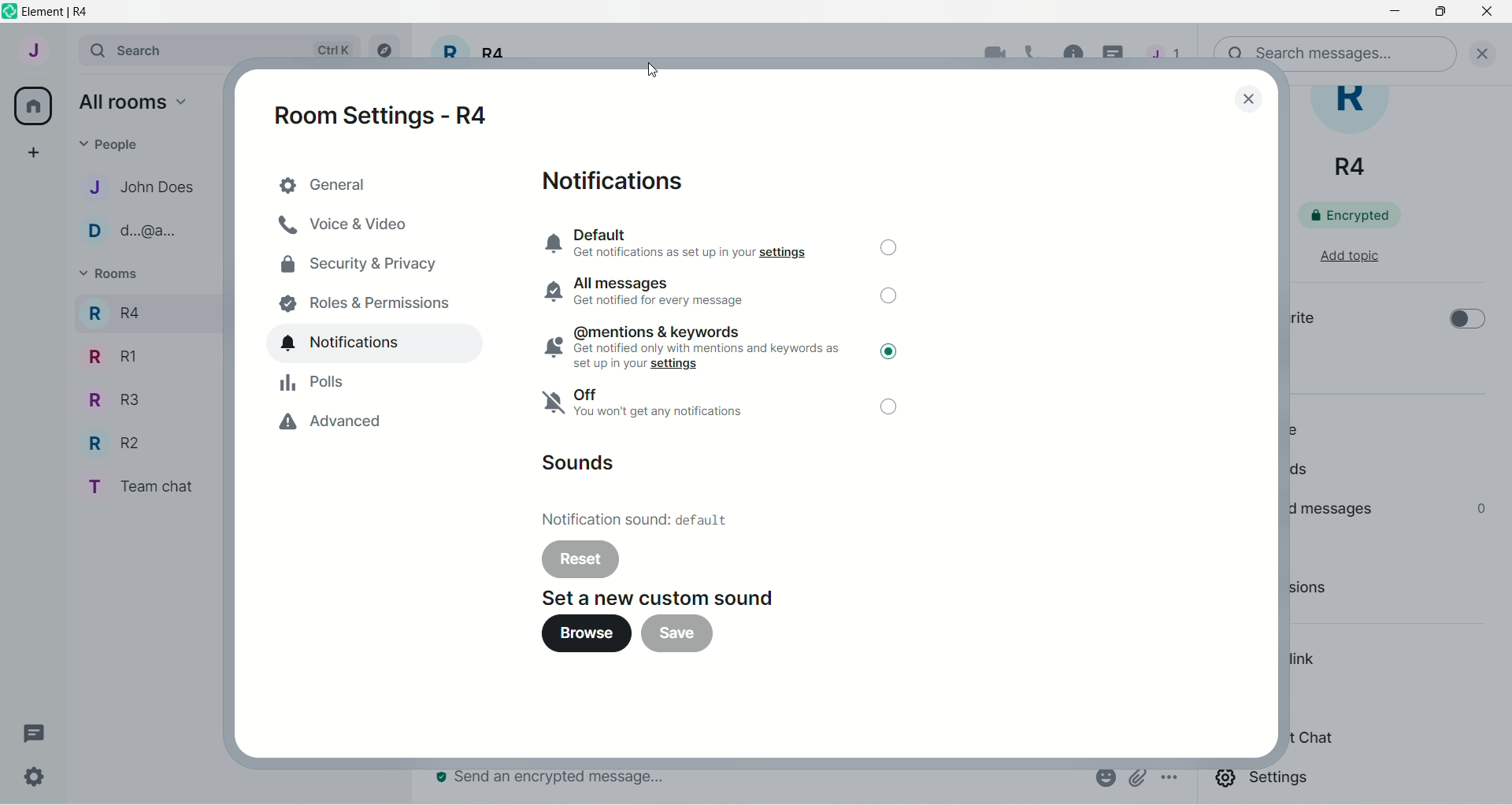 This screenshot has height=805, width=1512. What do you see at coordinates (1116, 55) in the screenshot?
I see `cursor` at bounding box center [1116, 55].